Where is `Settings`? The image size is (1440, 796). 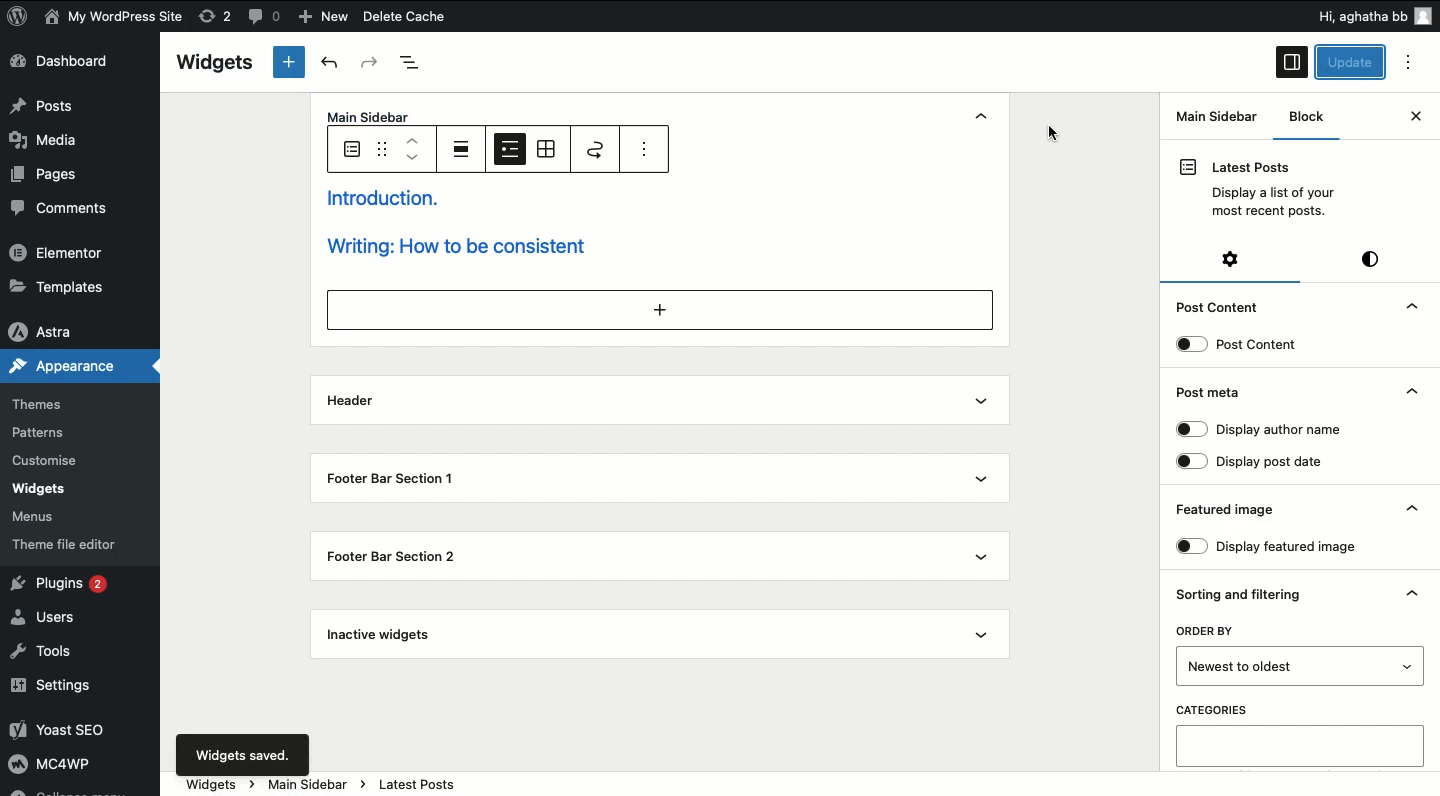 Settings is located at coordinates (1237, 260).